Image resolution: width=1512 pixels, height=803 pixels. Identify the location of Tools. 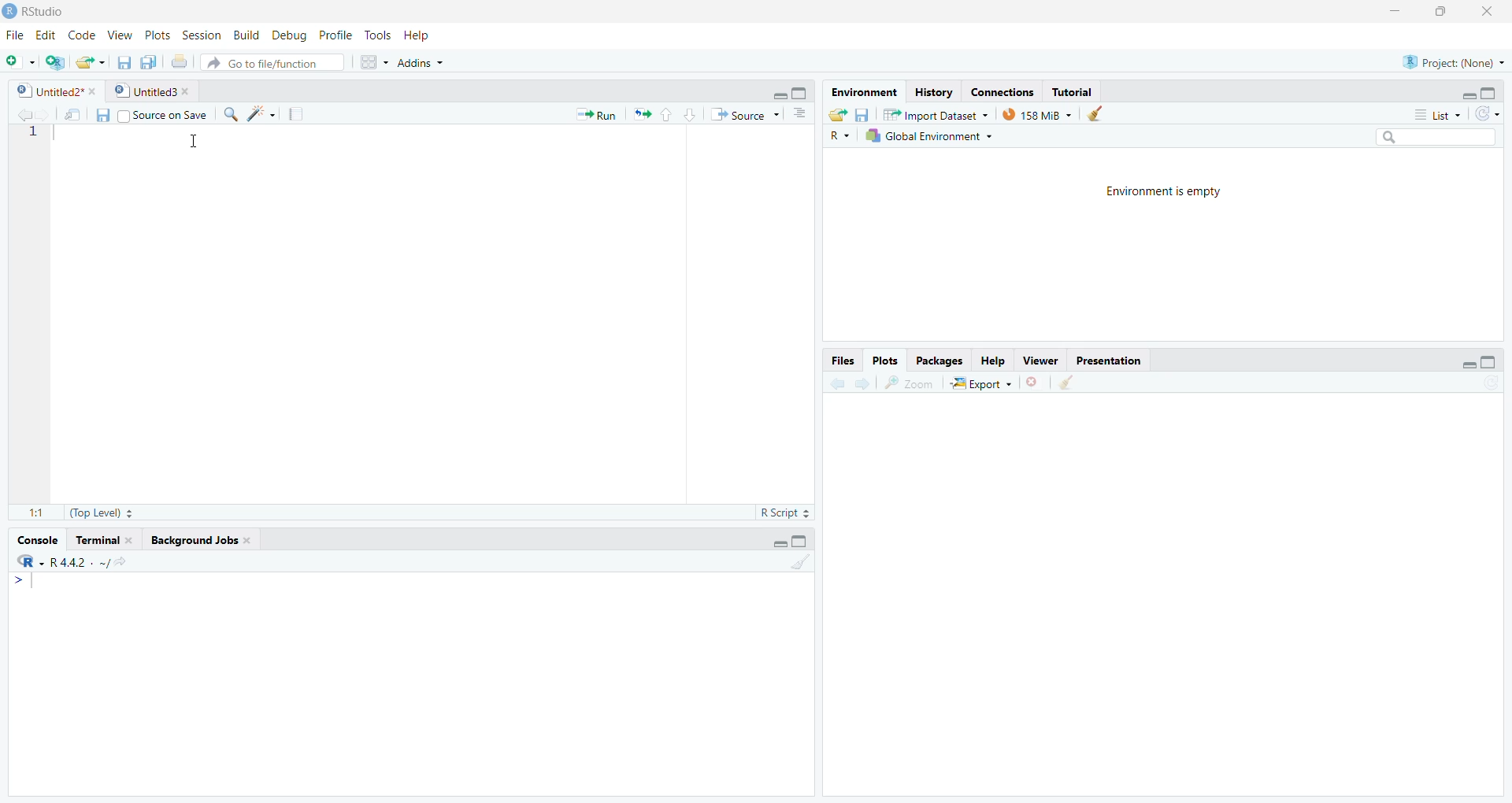
(379, 33).